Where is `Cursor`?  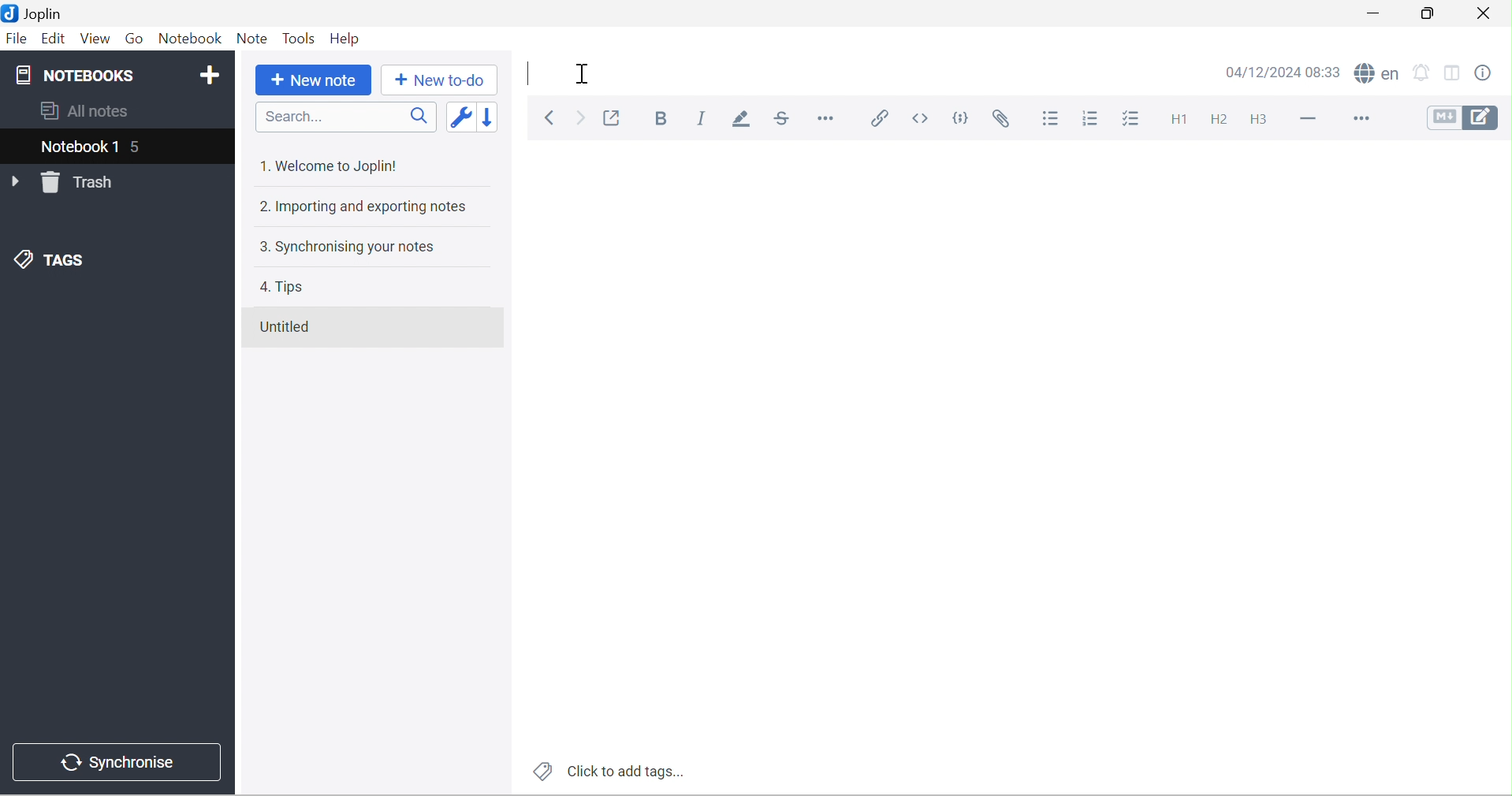
Cursor is located at coordinates (583, 74).